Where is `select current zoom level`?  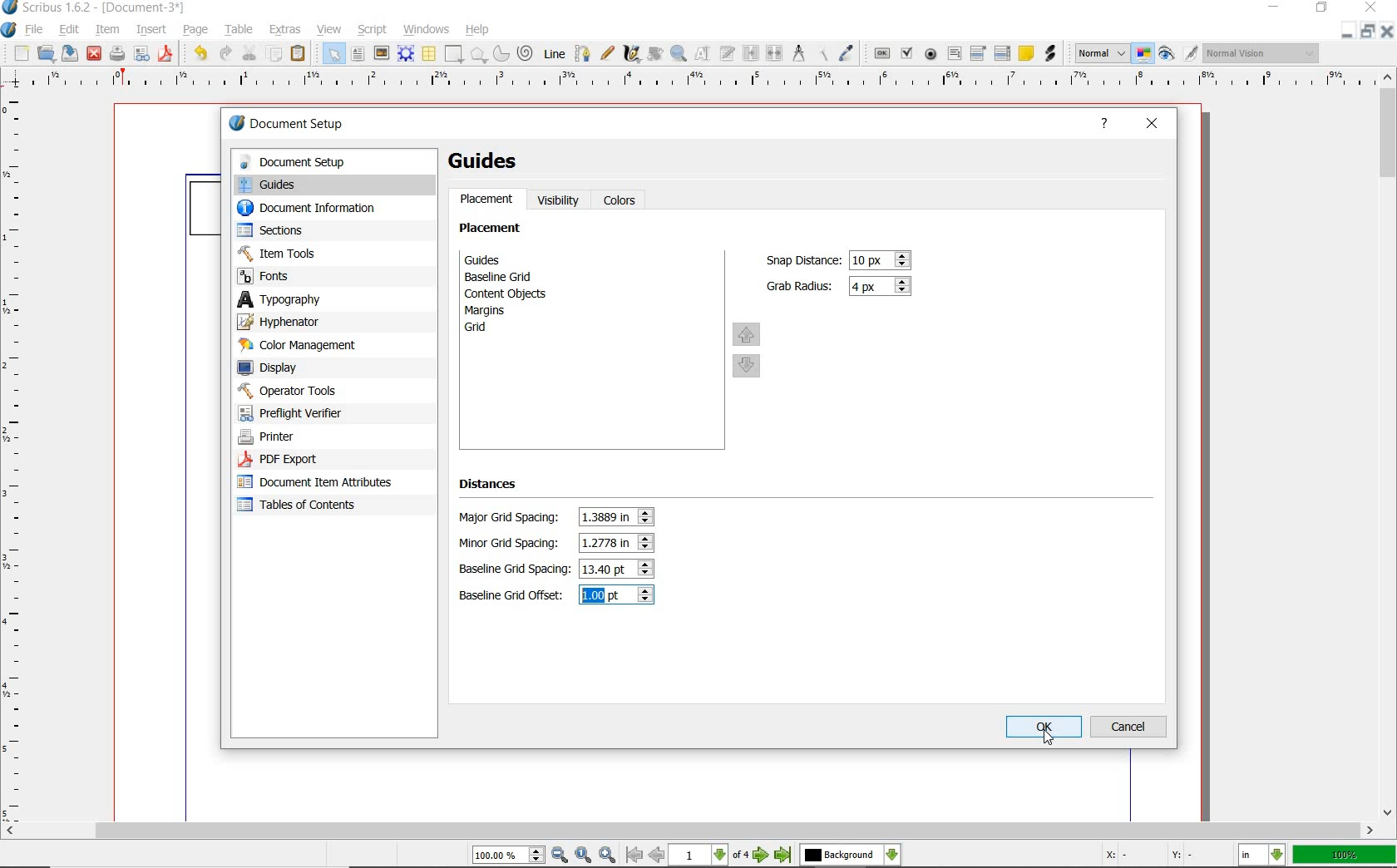
select current zoom level is located at coordinates (510, 855).